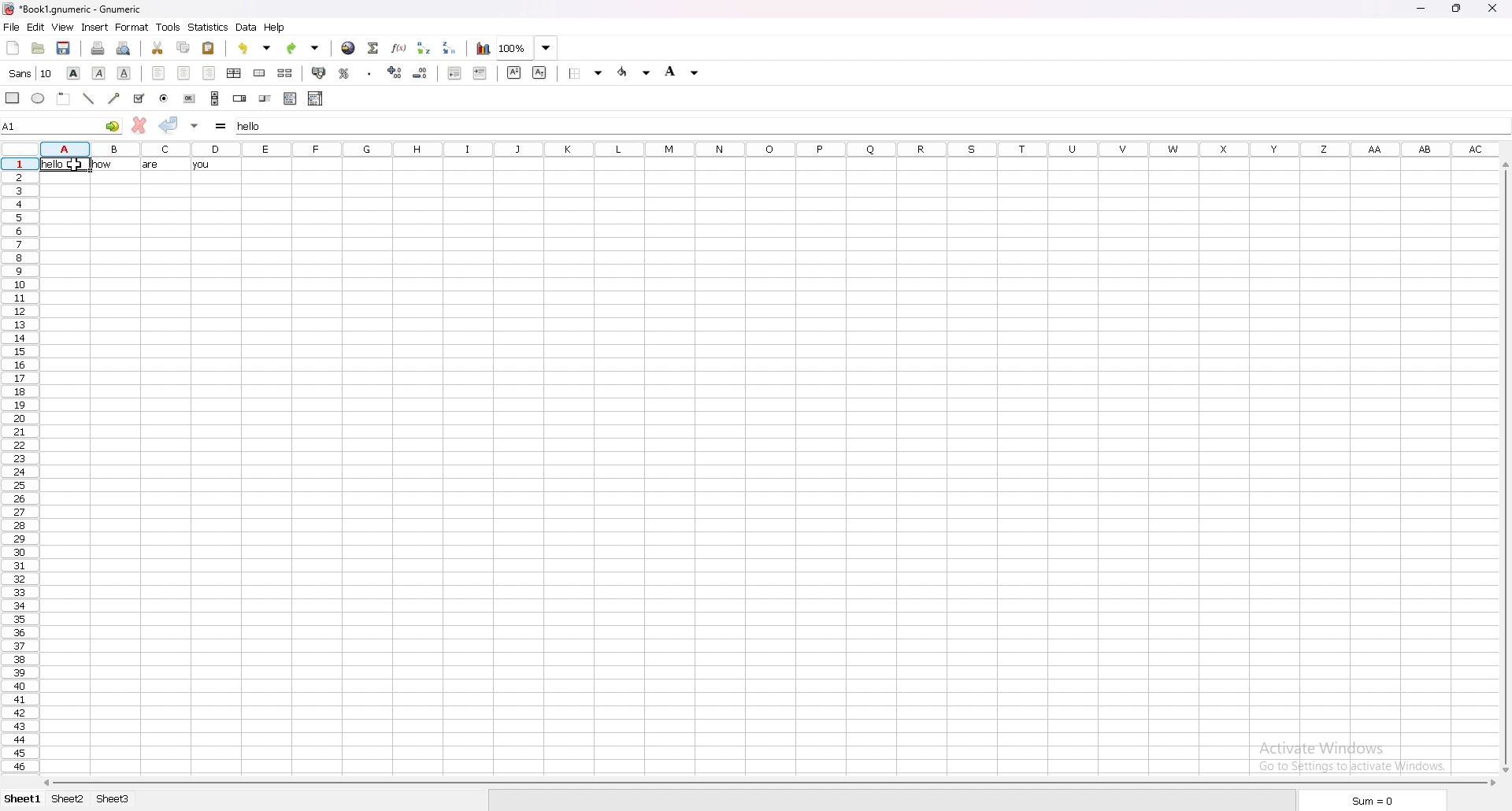 The height and width of the screenshot is (811, 1512). Describe the element at coordinates (149, 164) in the screenshot. I see `are` at that location.